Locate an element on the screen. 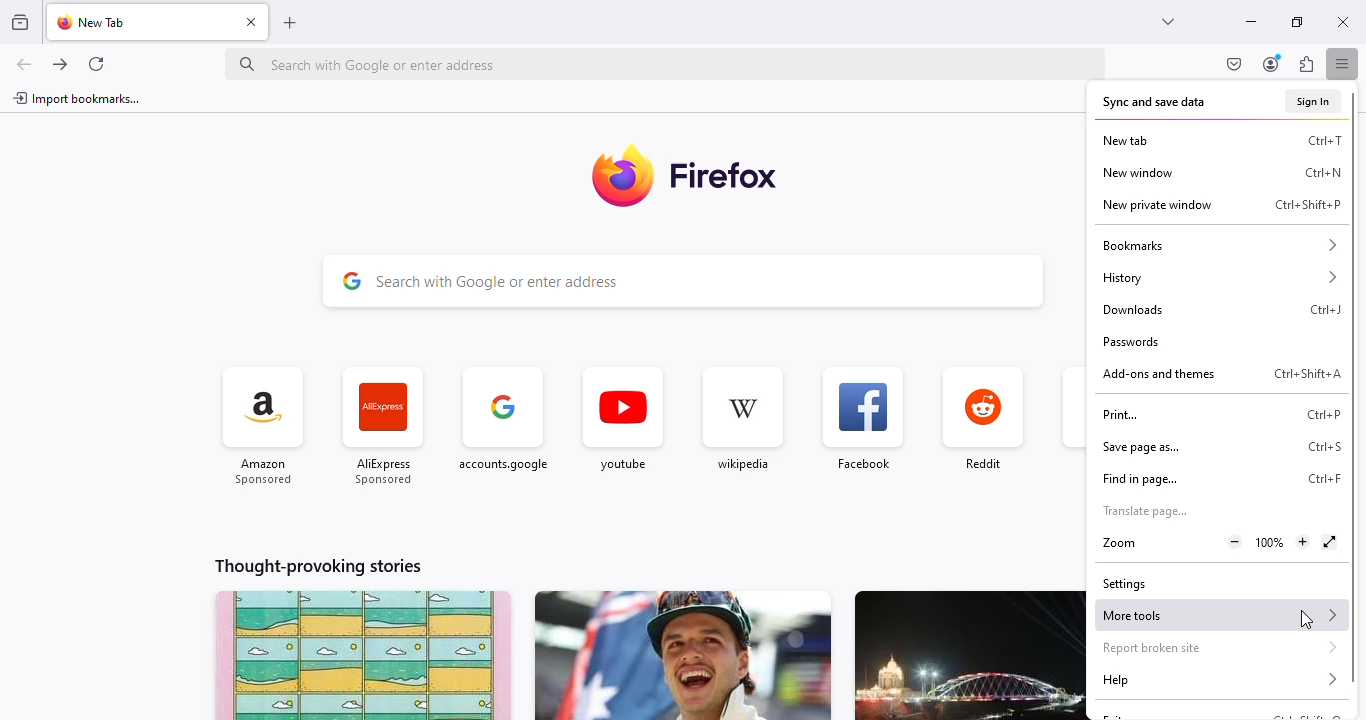 This screenshot has height=720, width=1366. passwords is located at coordinates (1131, 341).